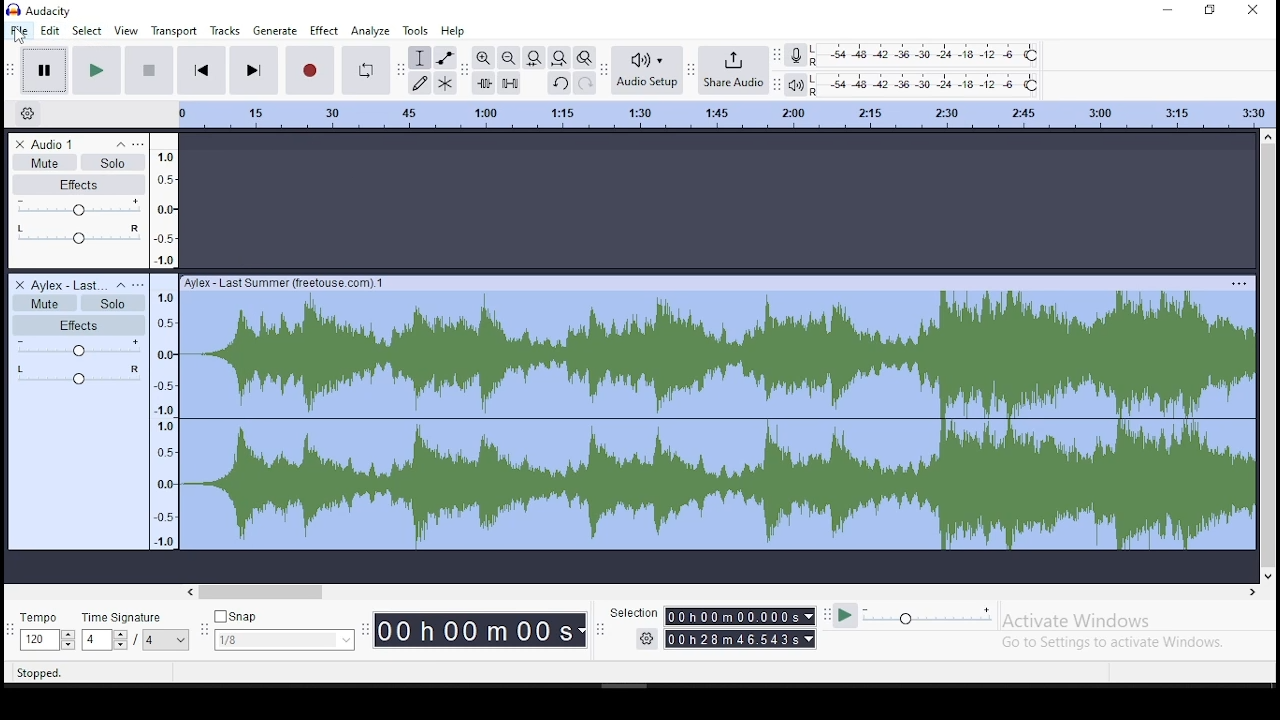  What do you see at coordinates (41, 69) in the screenshot?
I see `pause` at bounding box center [41, 69].